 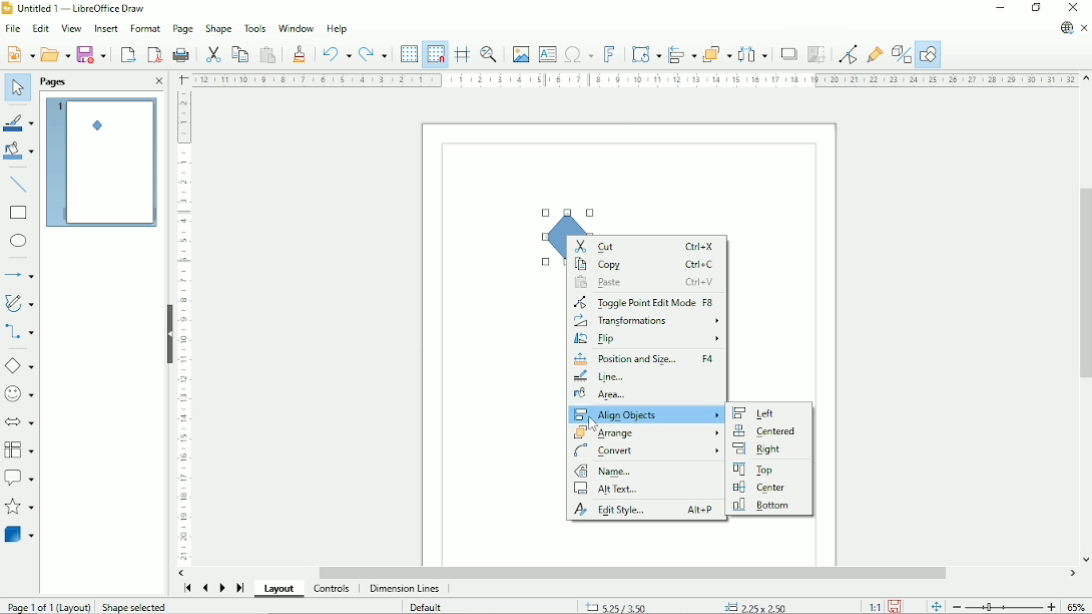 I want to click on Save, so click(x=896, y=605).